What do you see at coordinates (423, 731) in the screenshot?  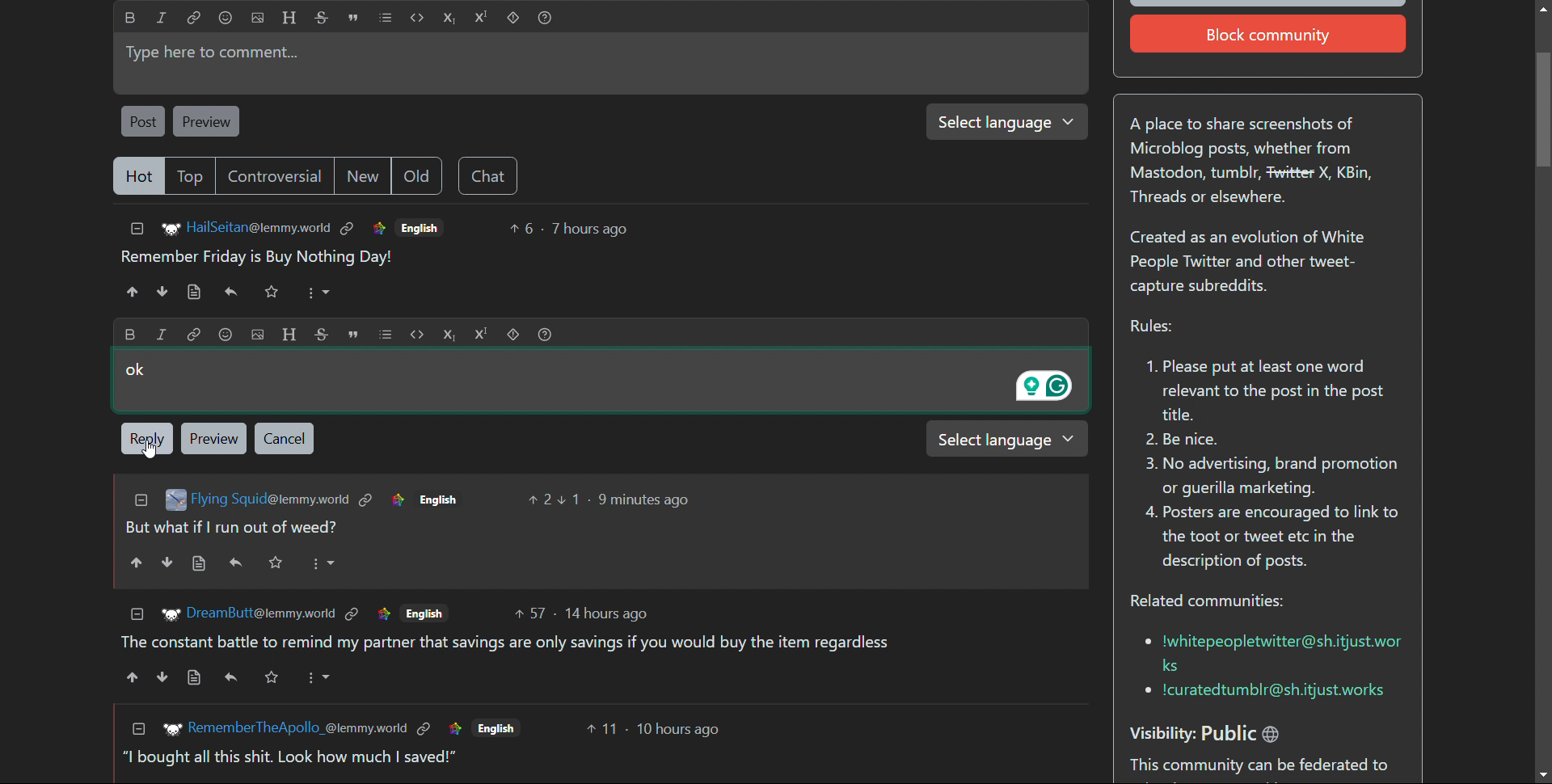 I see `link` at bounding box center [423, 731].